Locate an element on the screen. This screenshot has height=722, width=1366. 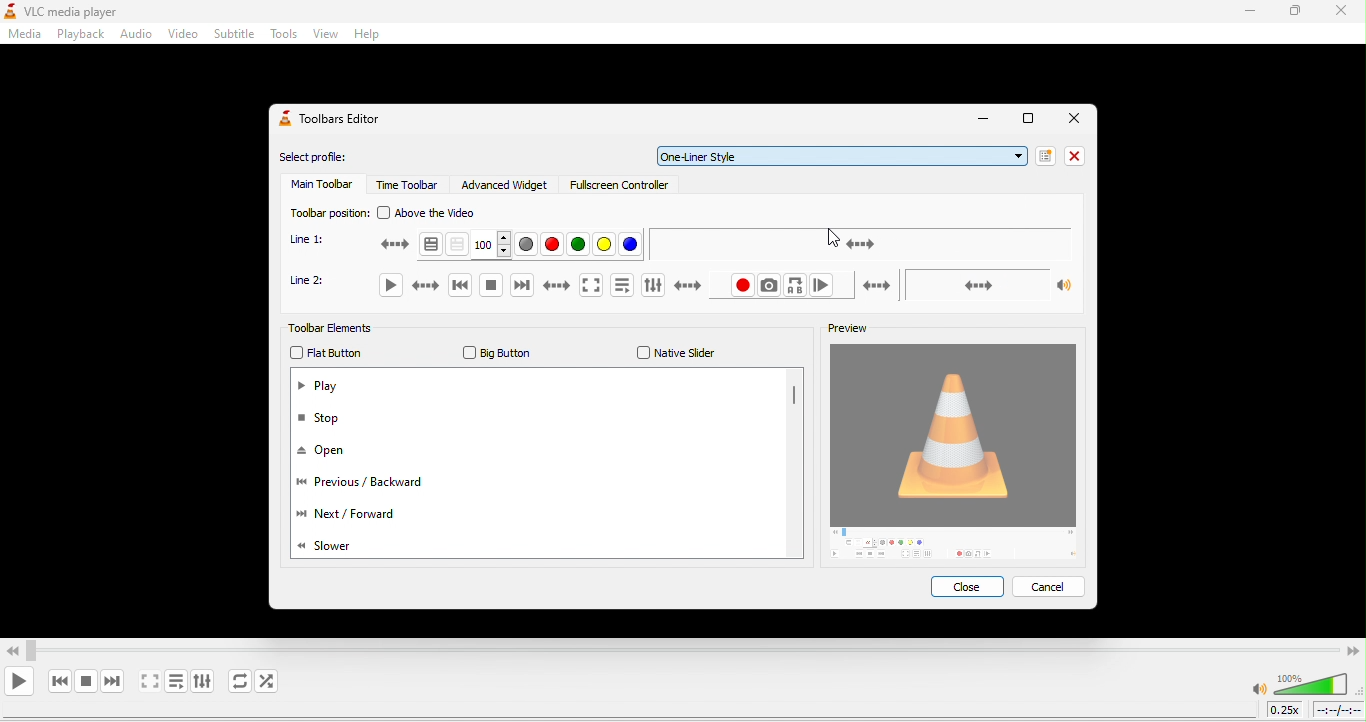
help is located at coordinates (364, 37).